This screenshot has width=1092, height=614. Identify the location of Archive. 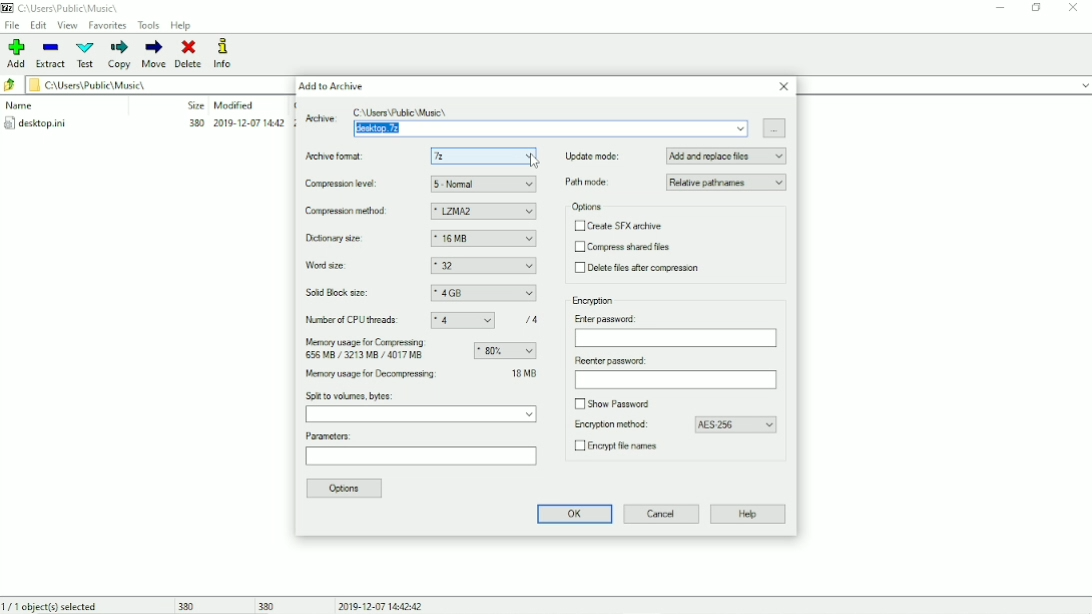
(527, 120).